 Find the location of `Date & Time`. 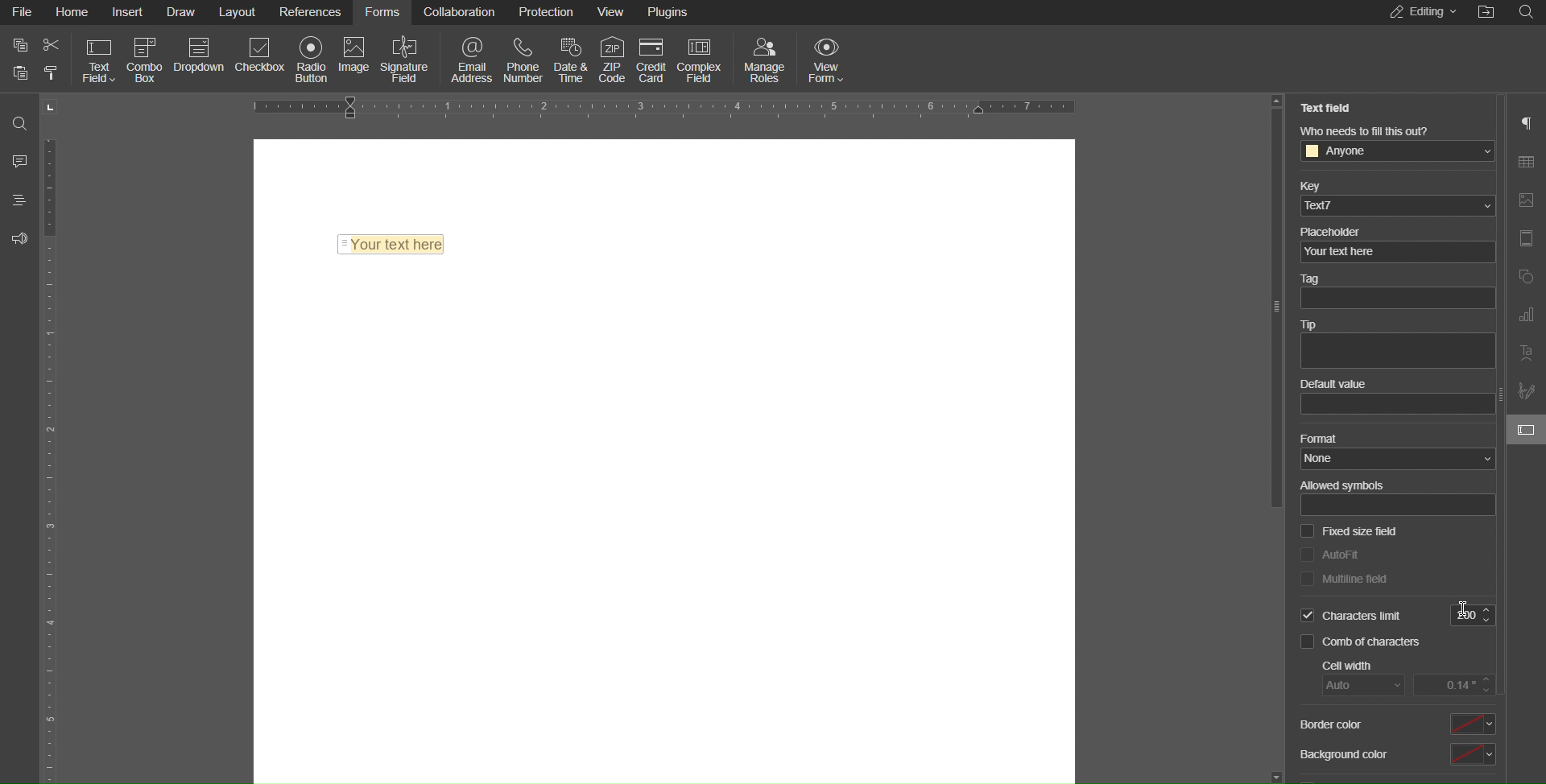

Date & Time is located at coordinates (570, 57).